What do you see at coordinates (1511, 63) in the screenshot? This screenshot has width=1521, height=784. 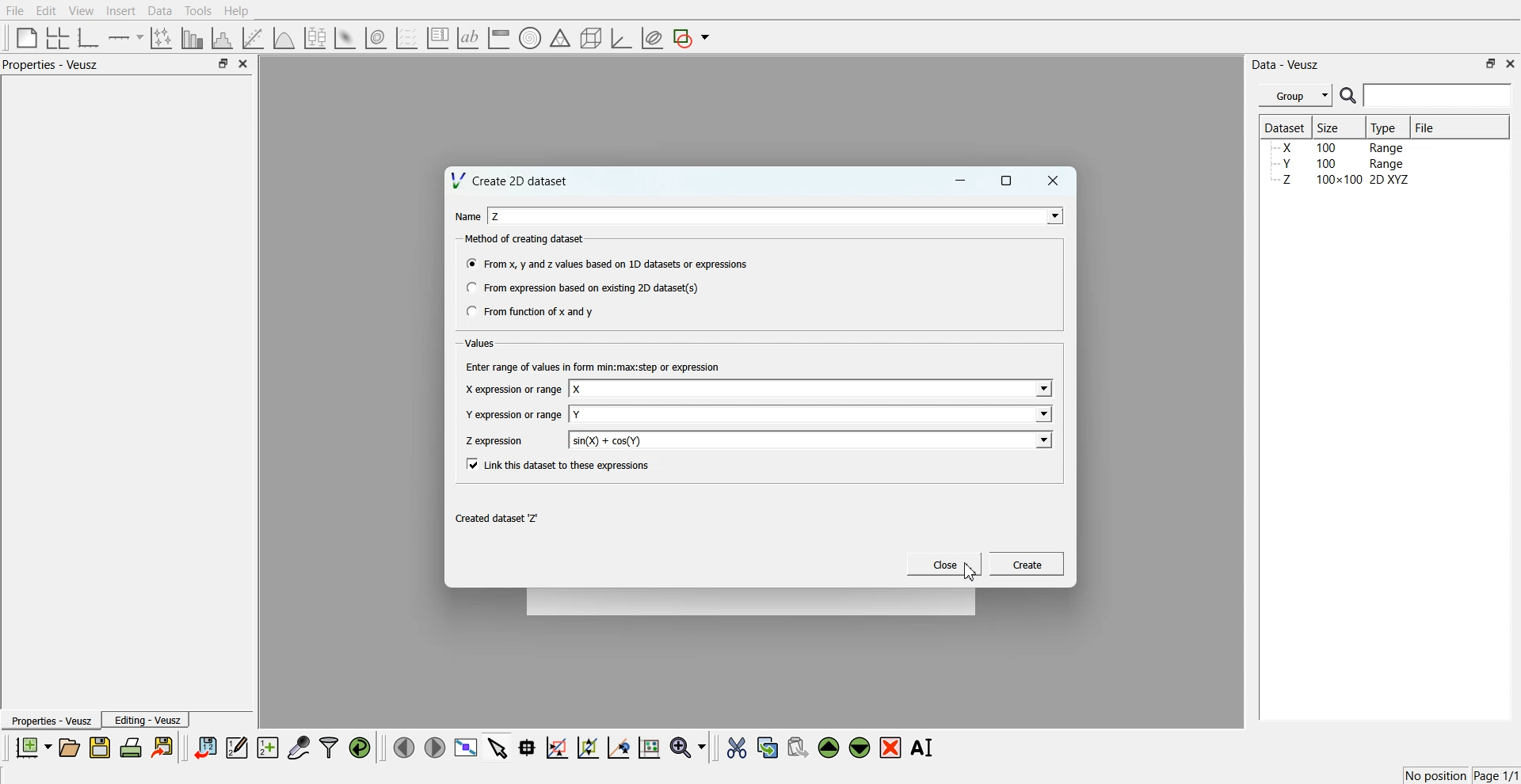 I see `Close` at bounding box center [1511, 63].